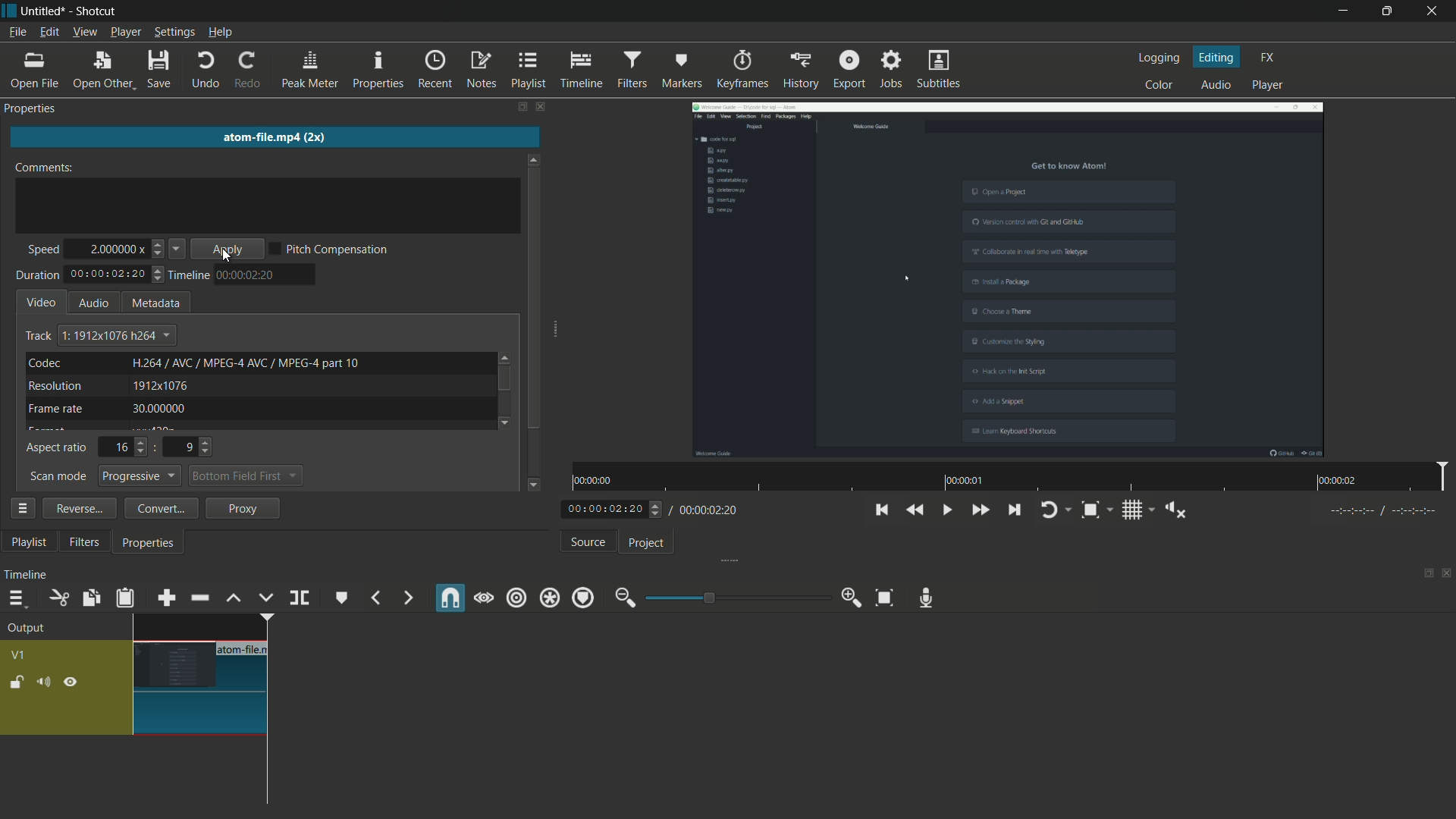 Image resolution: width=1456 pixels, height=819 pixels. Describe the element at coordinates (1012, 477) in the screenshot. I see `time` at that location.